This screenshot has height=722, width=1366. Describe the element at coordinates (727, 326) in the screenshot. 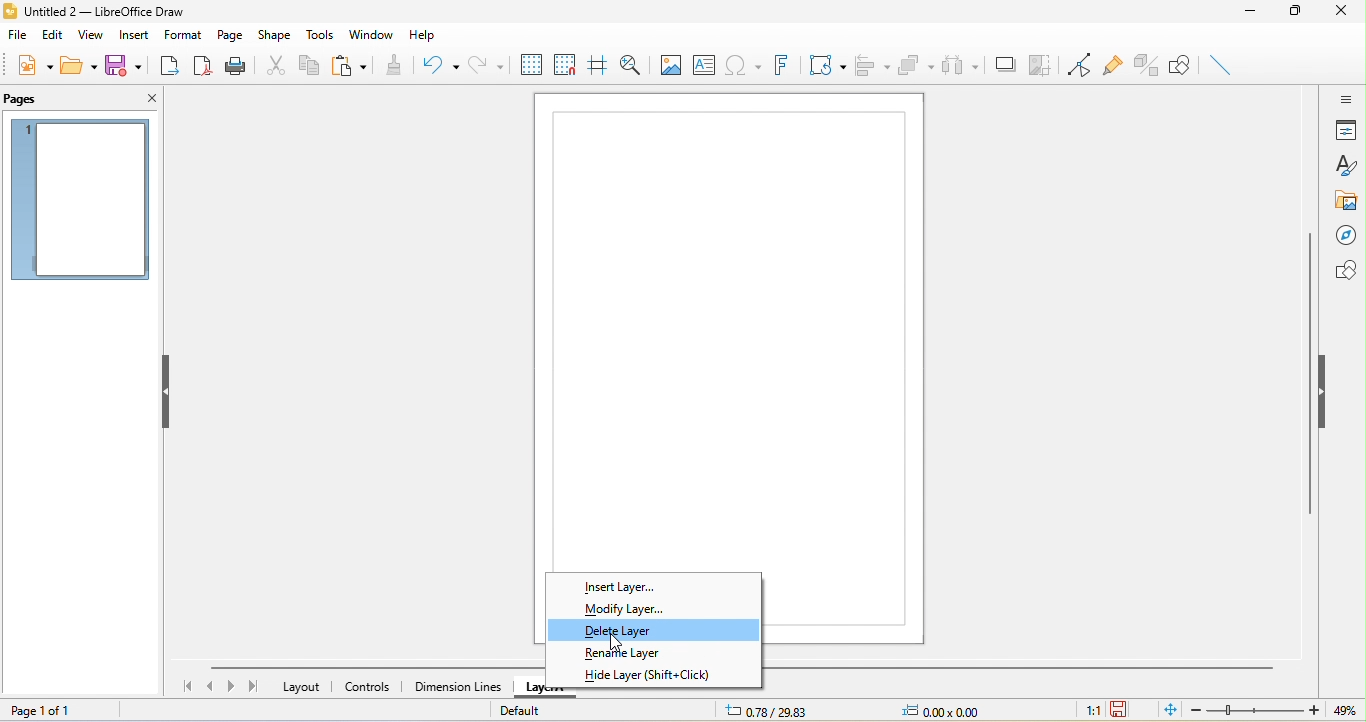

I see `page 1 canvas` at that location.